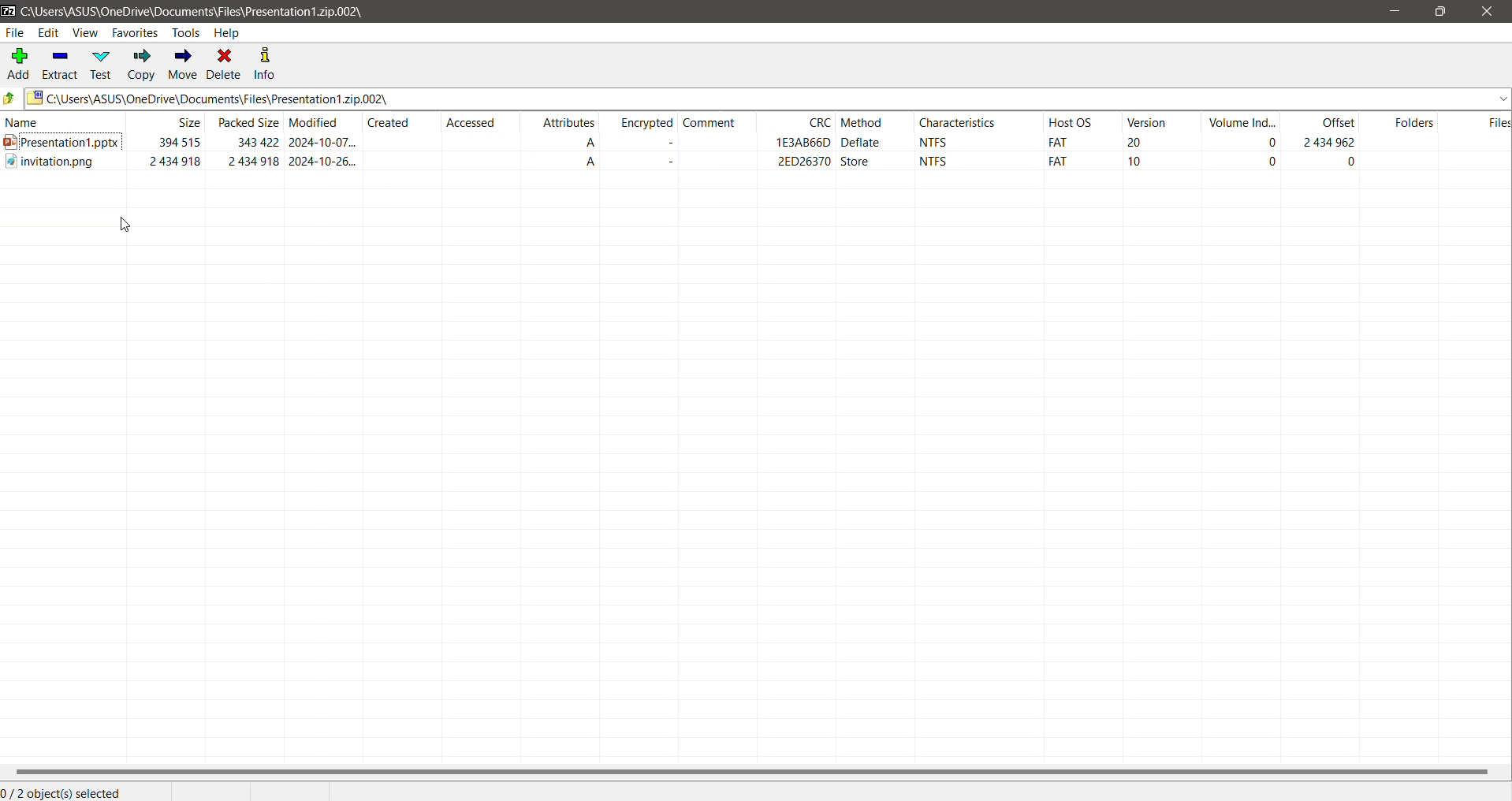  Describe the element at coordinates (863, 143) in the screenshot. I see `Deflate` at that location.